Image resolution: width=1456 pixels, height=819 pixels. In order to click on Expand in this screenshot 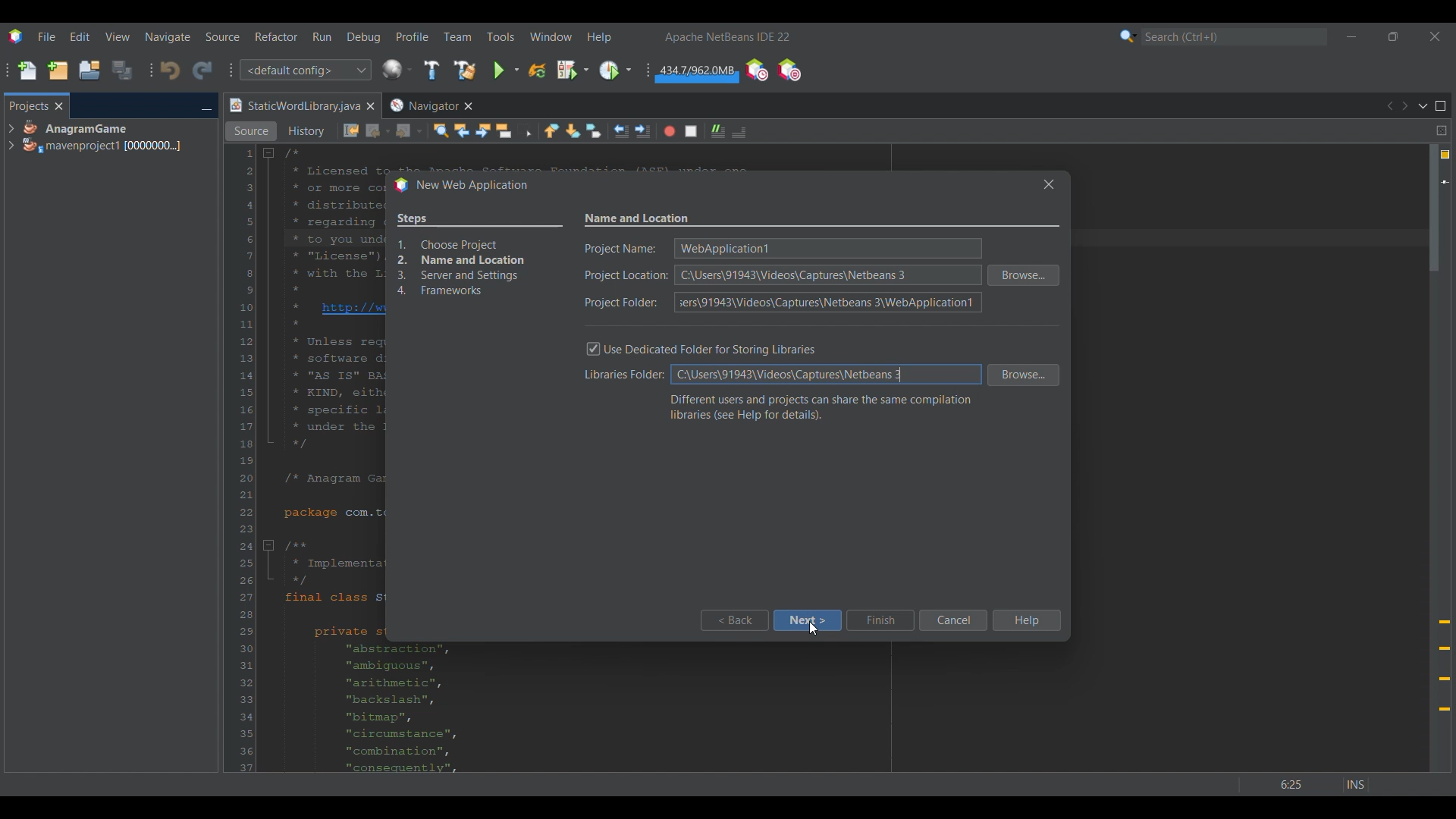, I will do `click(11, 137)`.